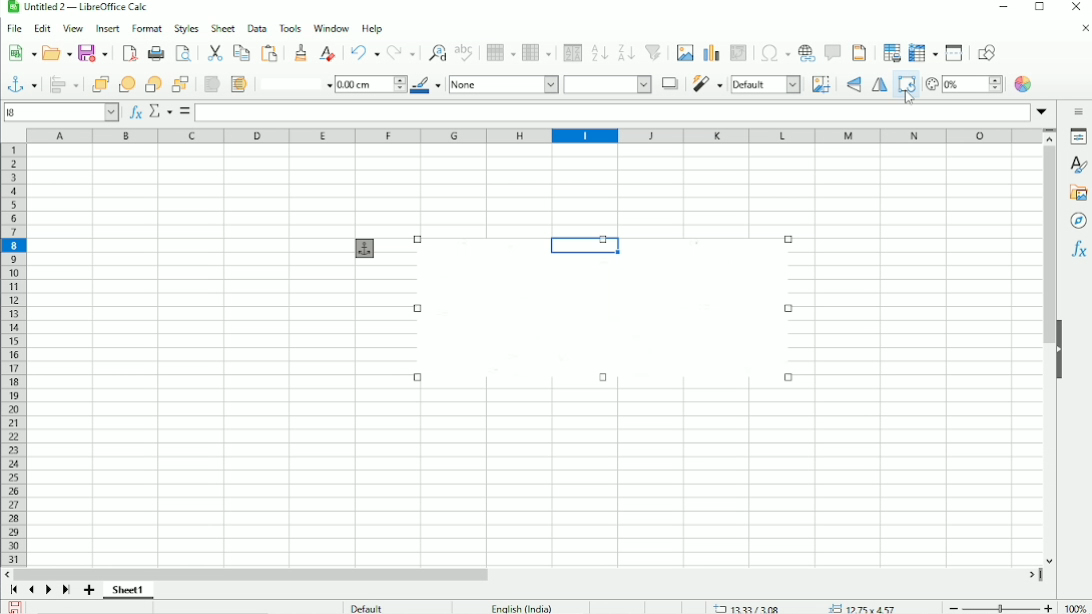 This screenshot has width=1092, height=614. What do you see at coordinates (93, 53) in the screenshot?
I see `Save` at bounding box center [93, 53].